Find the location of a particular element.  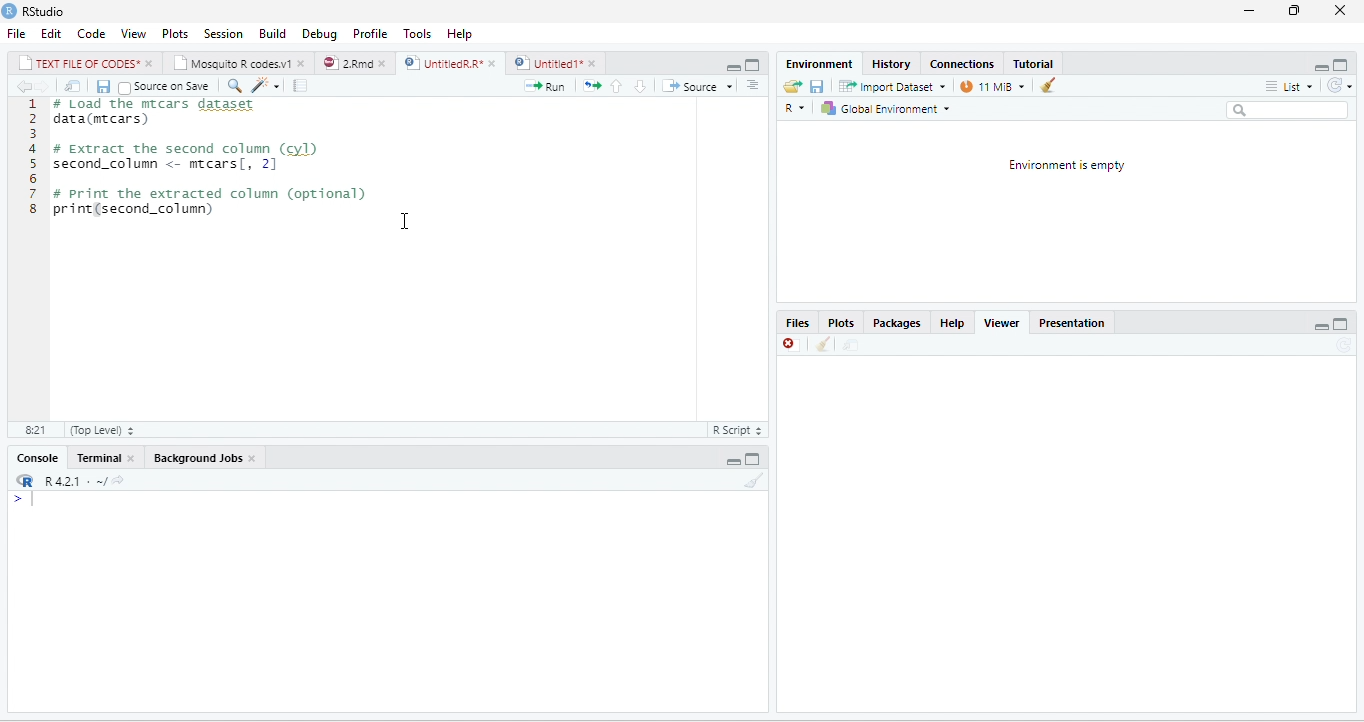

Files is located at coordinates (798, 324).